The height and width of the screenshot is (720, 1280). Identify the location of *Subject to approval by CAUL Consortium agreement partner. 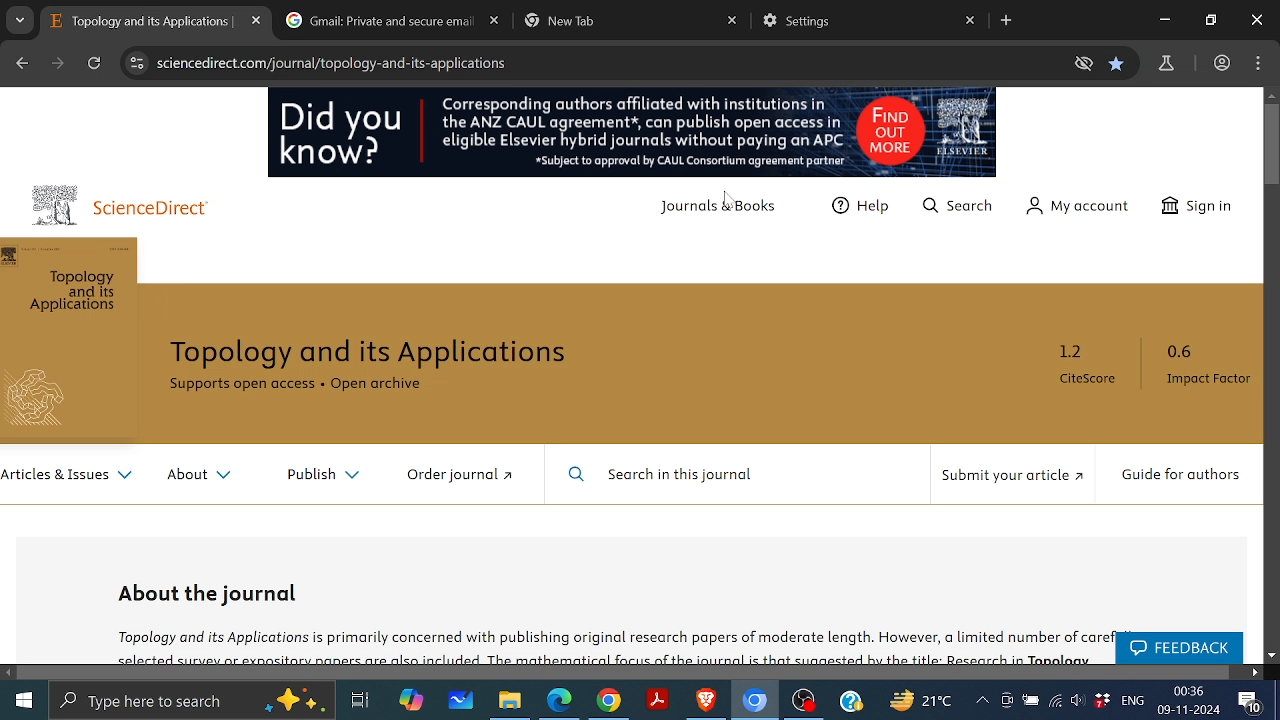
(676, 162).